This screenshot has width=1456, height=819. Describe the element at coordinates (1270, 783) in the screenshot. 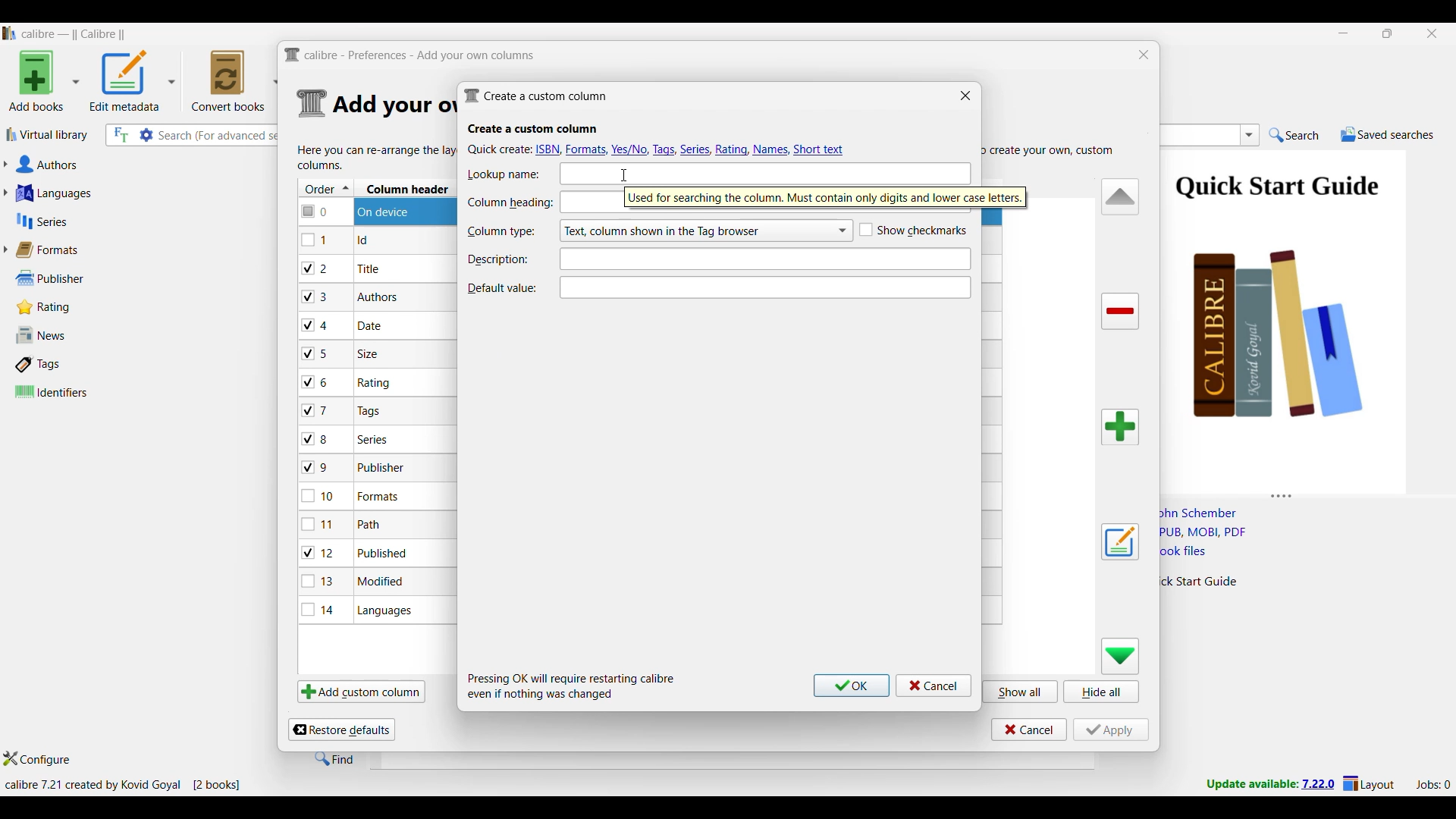

I see `New version update notifcation` at that location.